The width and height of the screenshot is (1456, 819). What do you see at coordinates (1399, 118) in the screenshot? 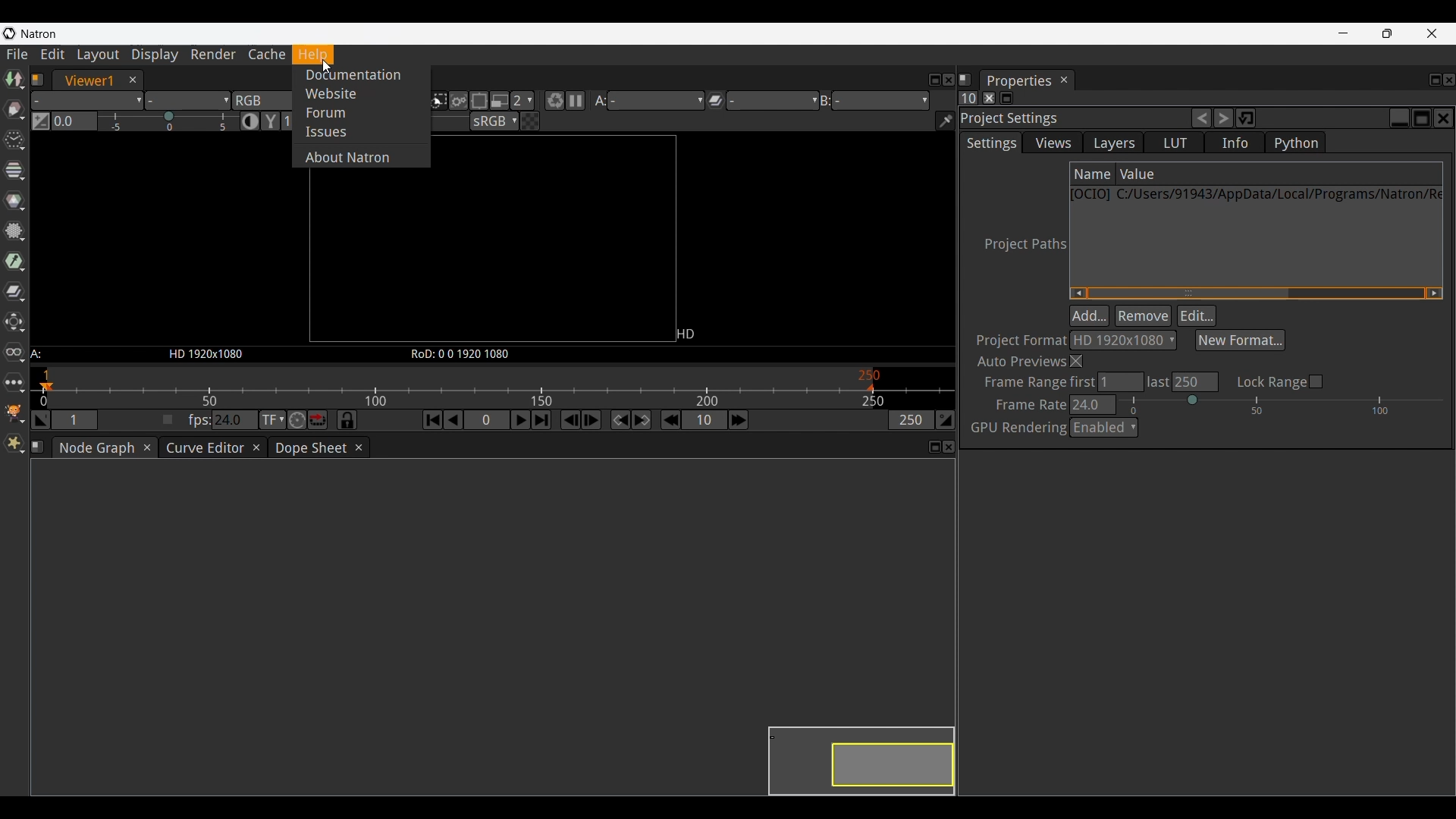
I see `Minimize project settings panel` at bounding box center [1399, 118].